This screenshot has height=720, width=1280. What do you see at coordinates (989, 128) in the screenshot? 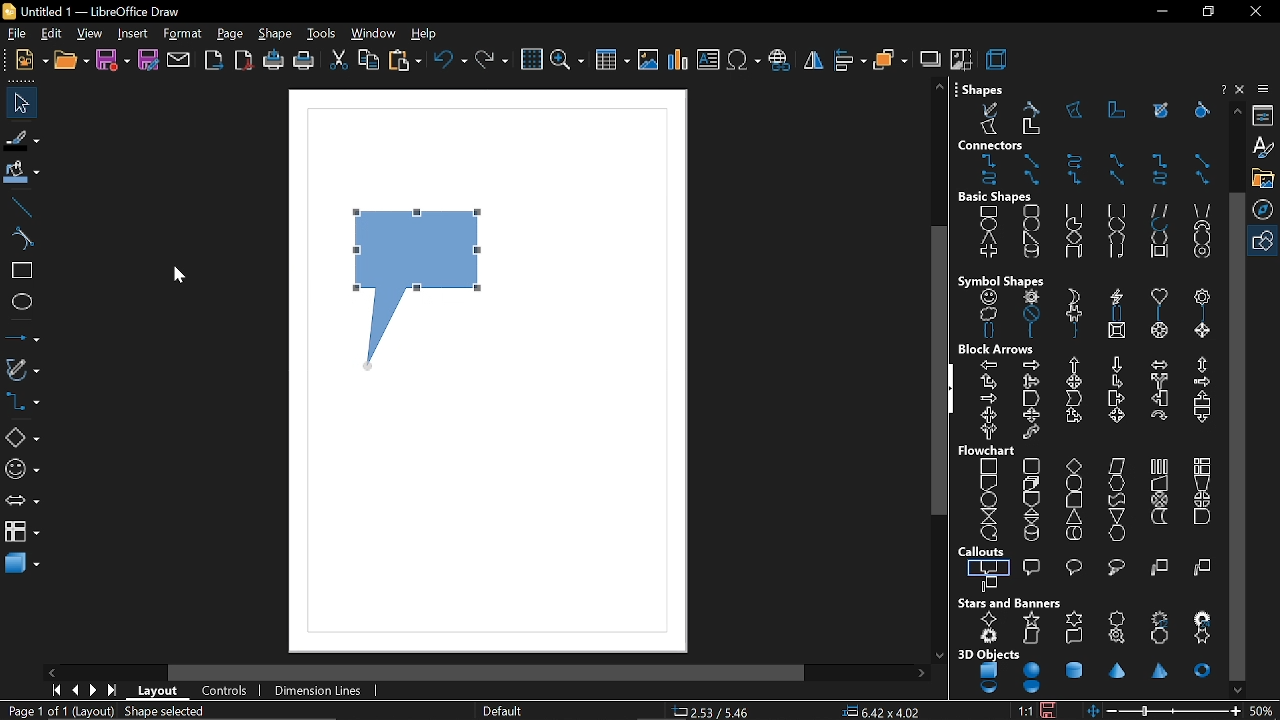
I see `polygon filled` at bounding box center [989, 128].